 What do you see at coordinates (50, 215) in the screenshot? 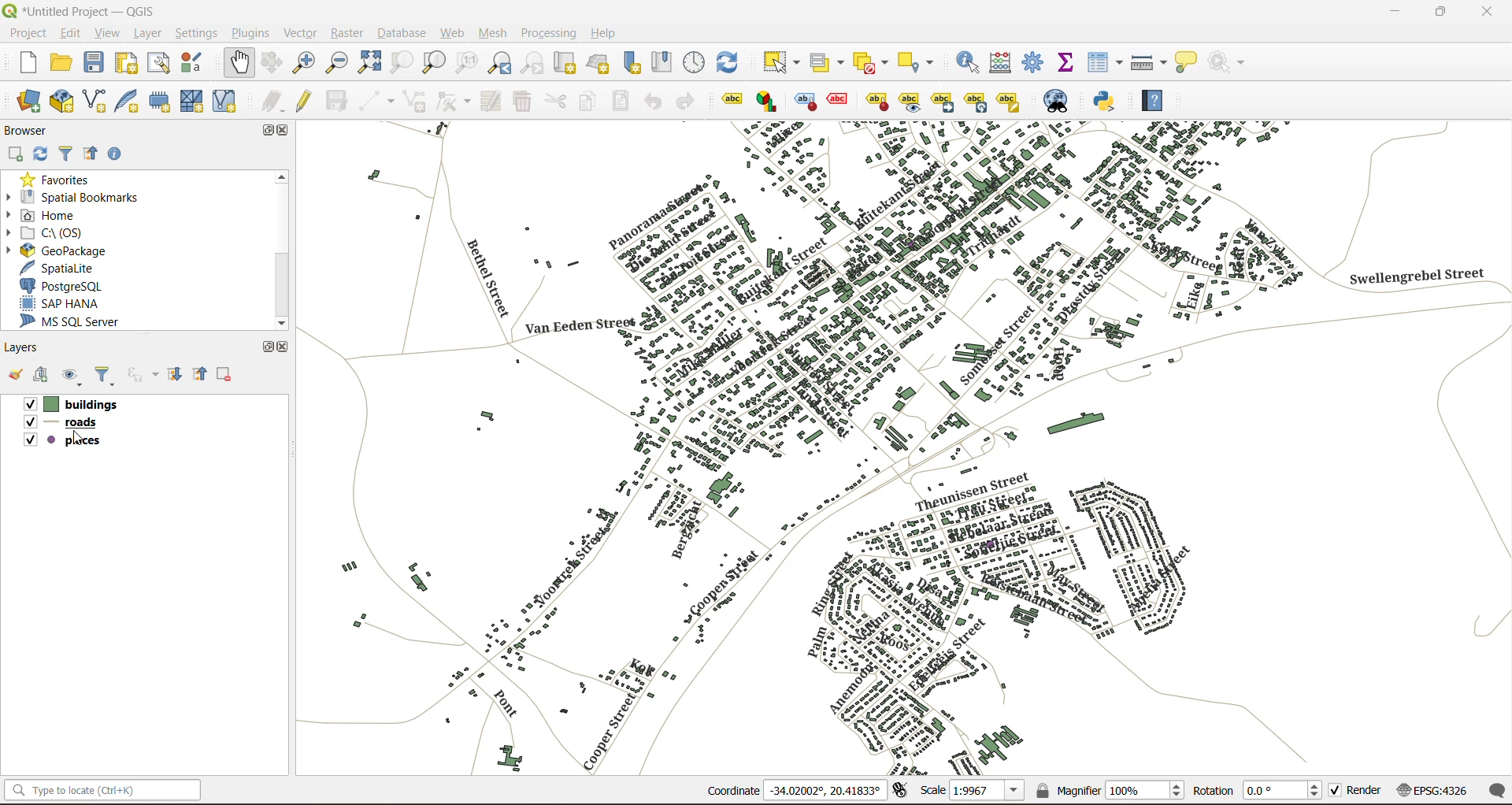
I see `home` at bounding box center [50, 215].